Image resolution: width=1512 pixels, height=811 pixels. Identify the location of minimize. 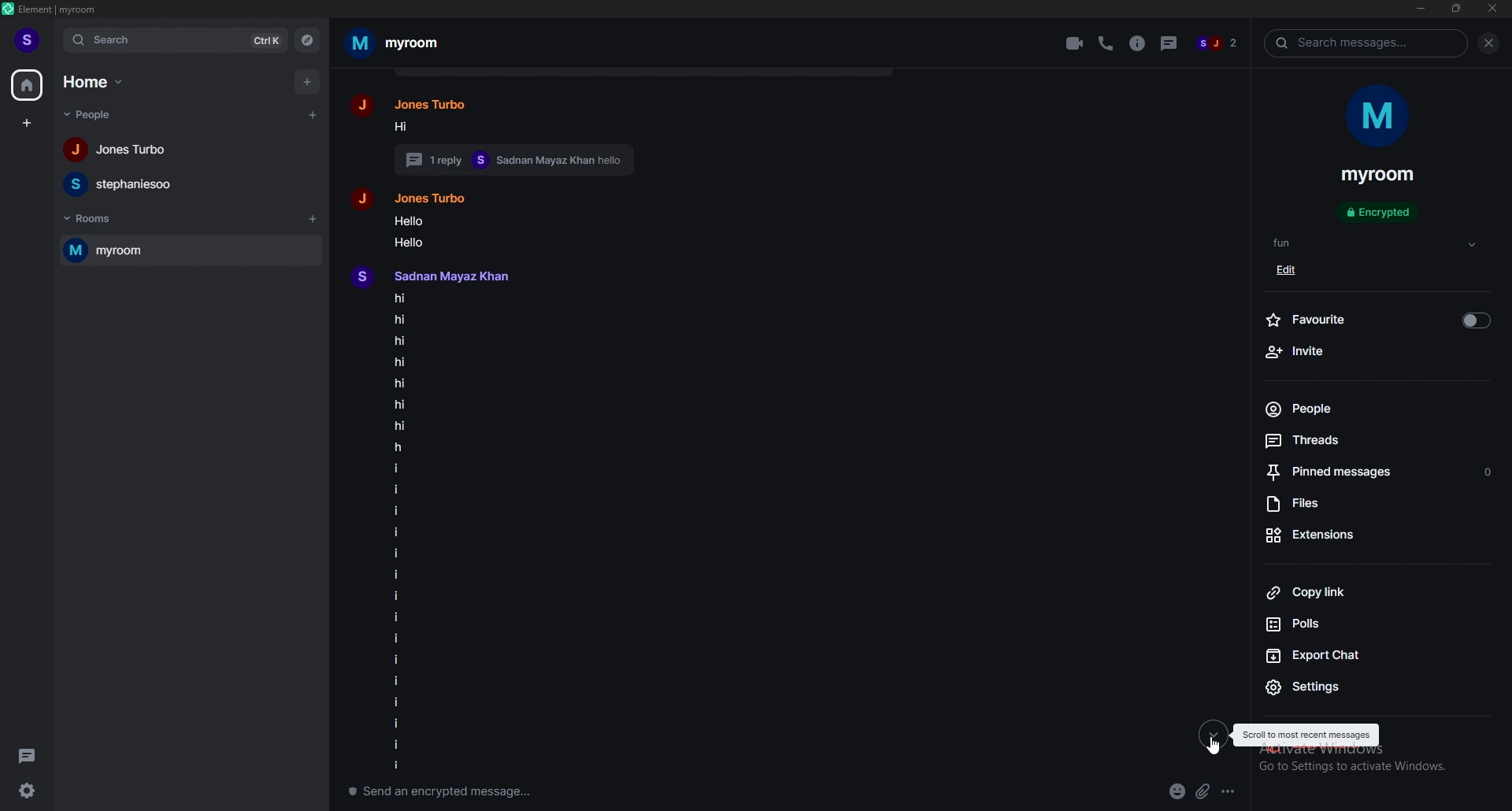
(1421, 9).